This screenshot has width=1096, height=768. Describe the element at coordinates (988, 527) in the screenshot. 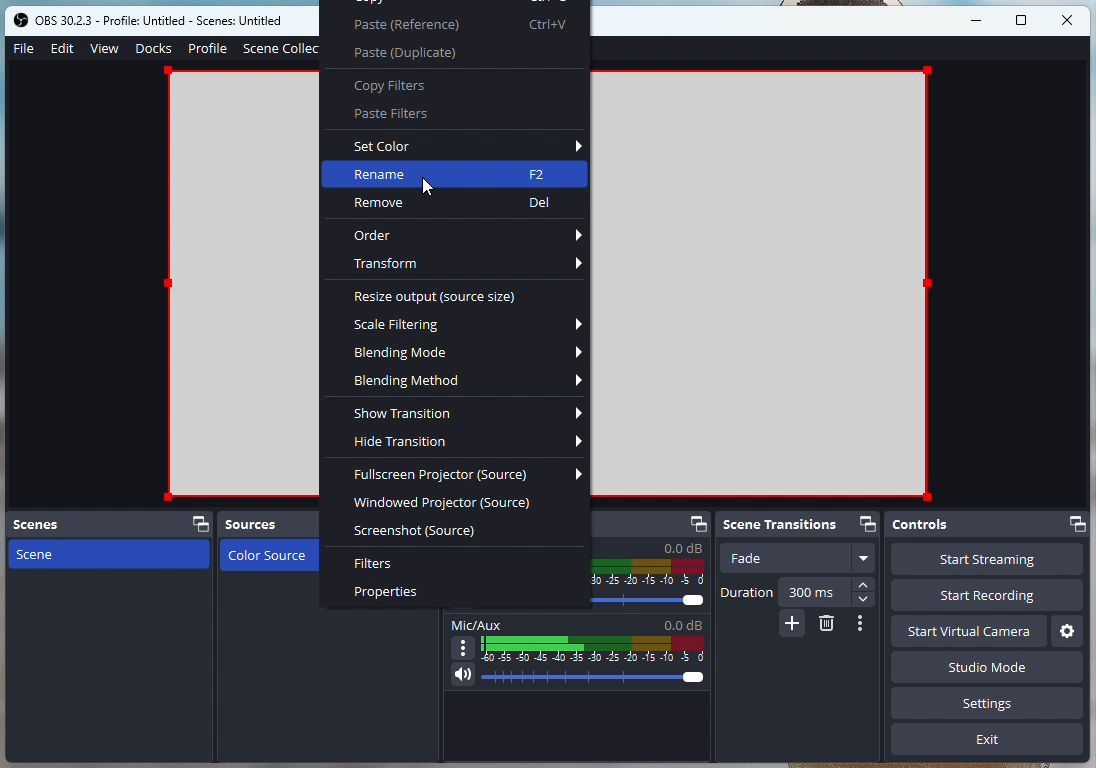

I see `Controls` at that location.